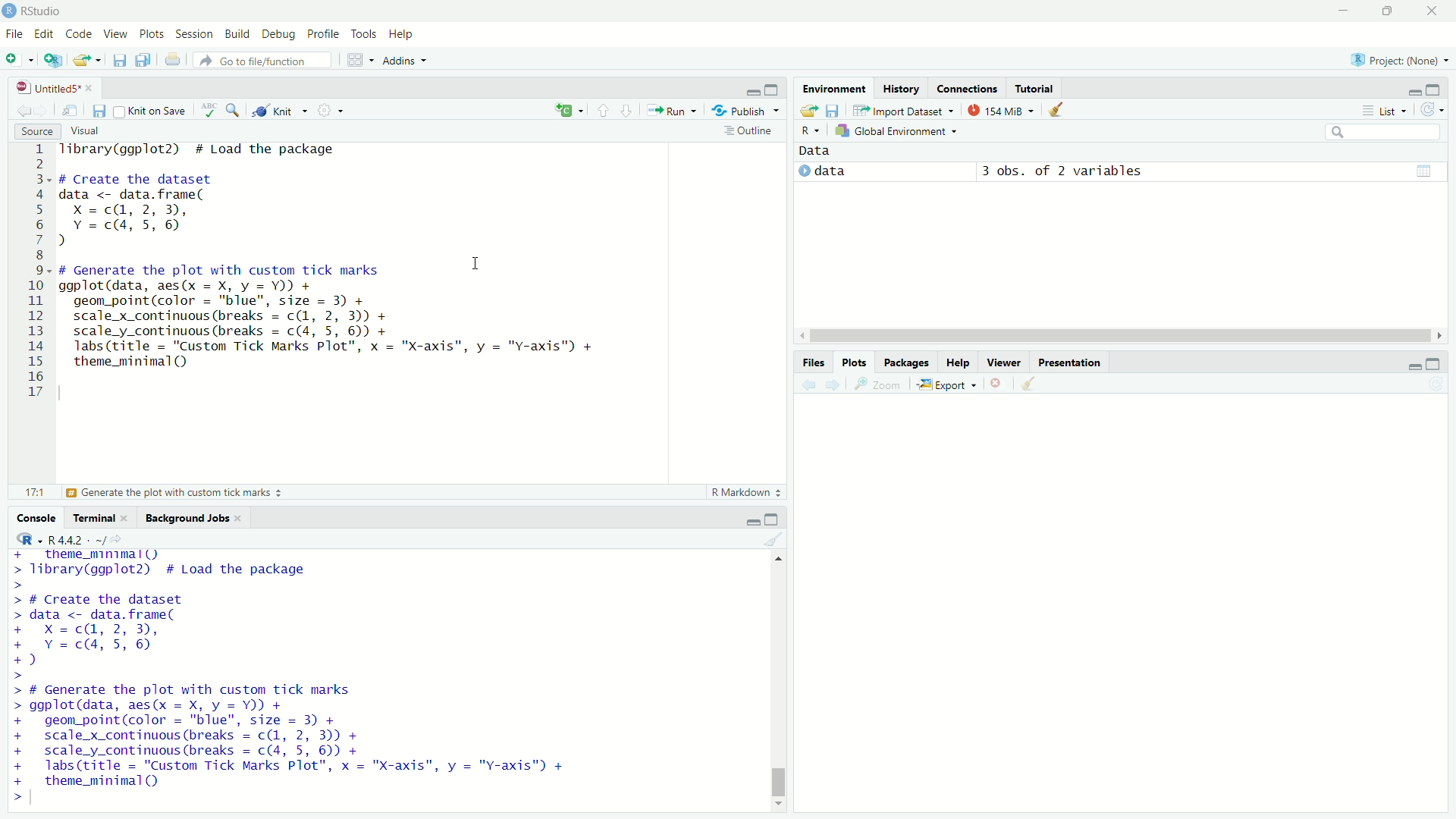 The height and width of the screenshot is (819, 1456). Describe the element at coordinates (281, 111) in the screenshot. I see `knit` at that location.